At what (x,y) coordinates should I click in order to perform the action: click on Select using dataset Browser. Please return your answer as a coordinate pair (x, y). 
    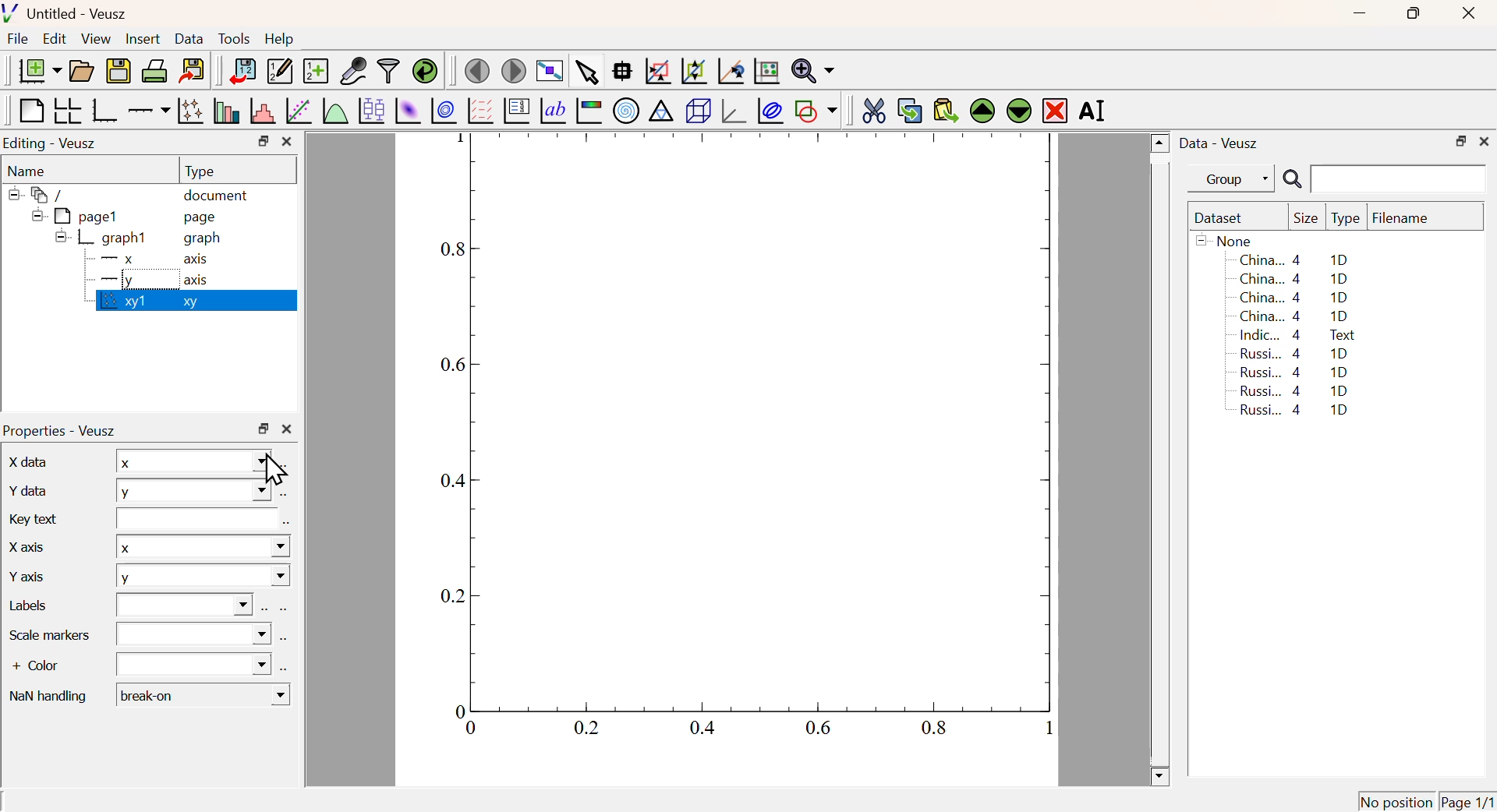
    Looking at the image, I should click on (285, 496).